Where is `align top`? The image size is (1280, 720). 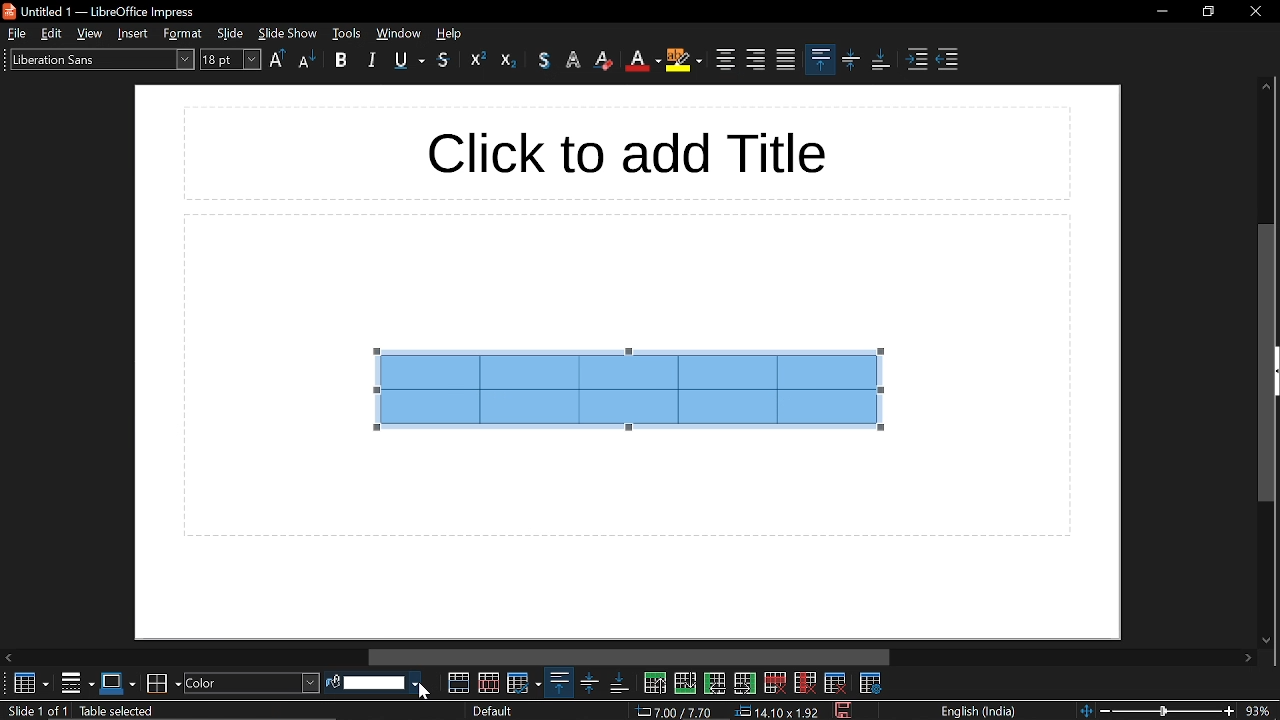 align top is located at coordinates (558, 683).